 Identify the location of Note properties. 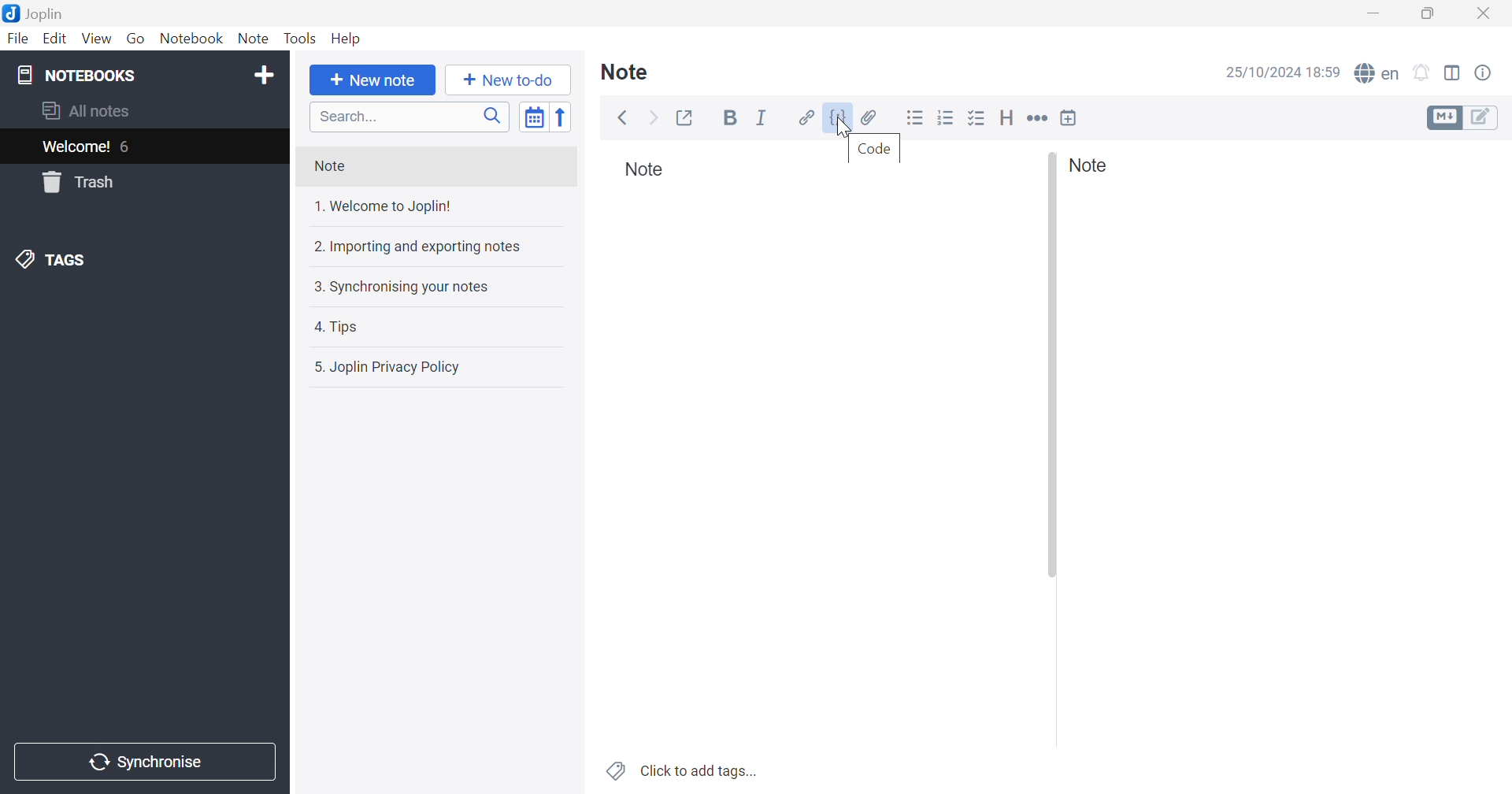
(1482, 75).